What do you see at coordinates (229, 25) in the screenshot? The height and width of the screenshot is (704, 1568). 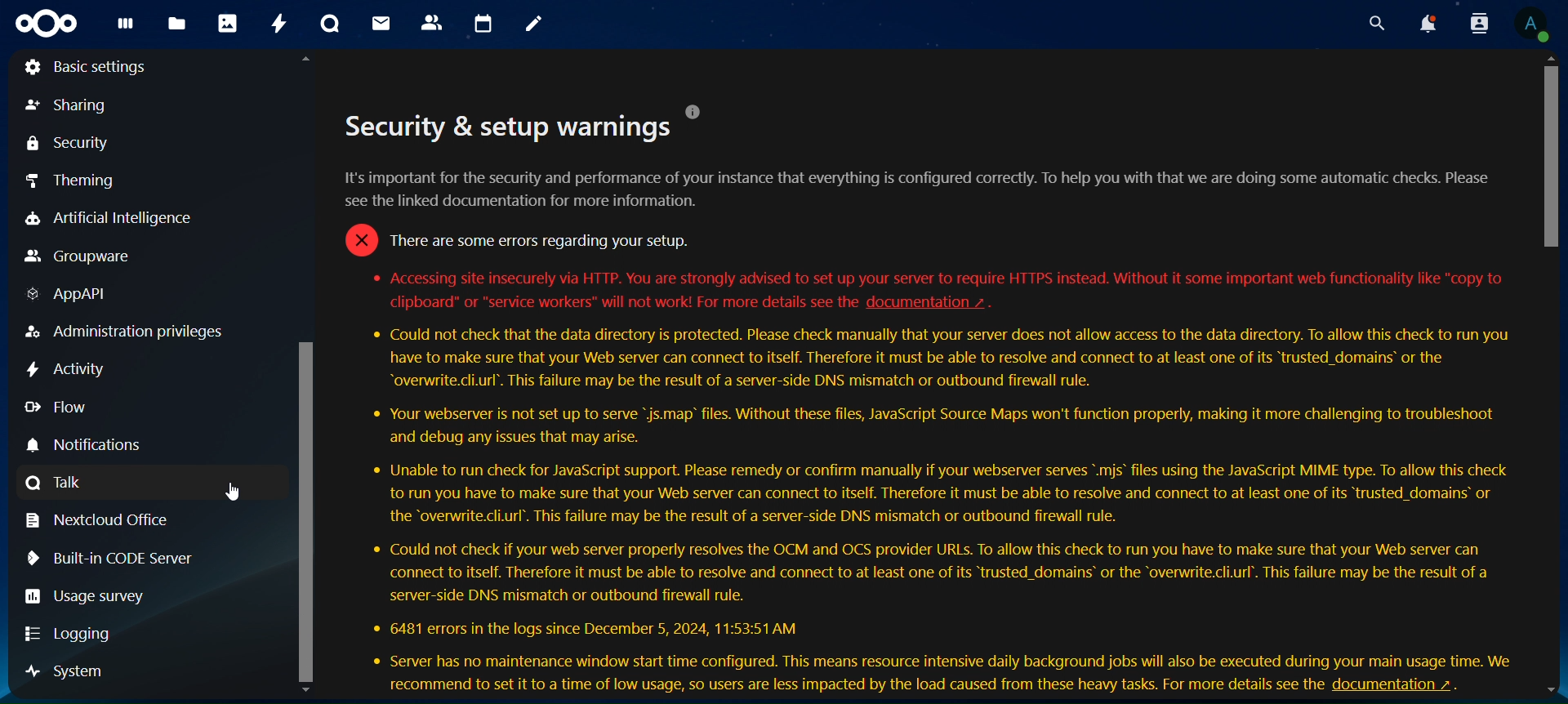 I see `photos` at bounding box center [229, 25].